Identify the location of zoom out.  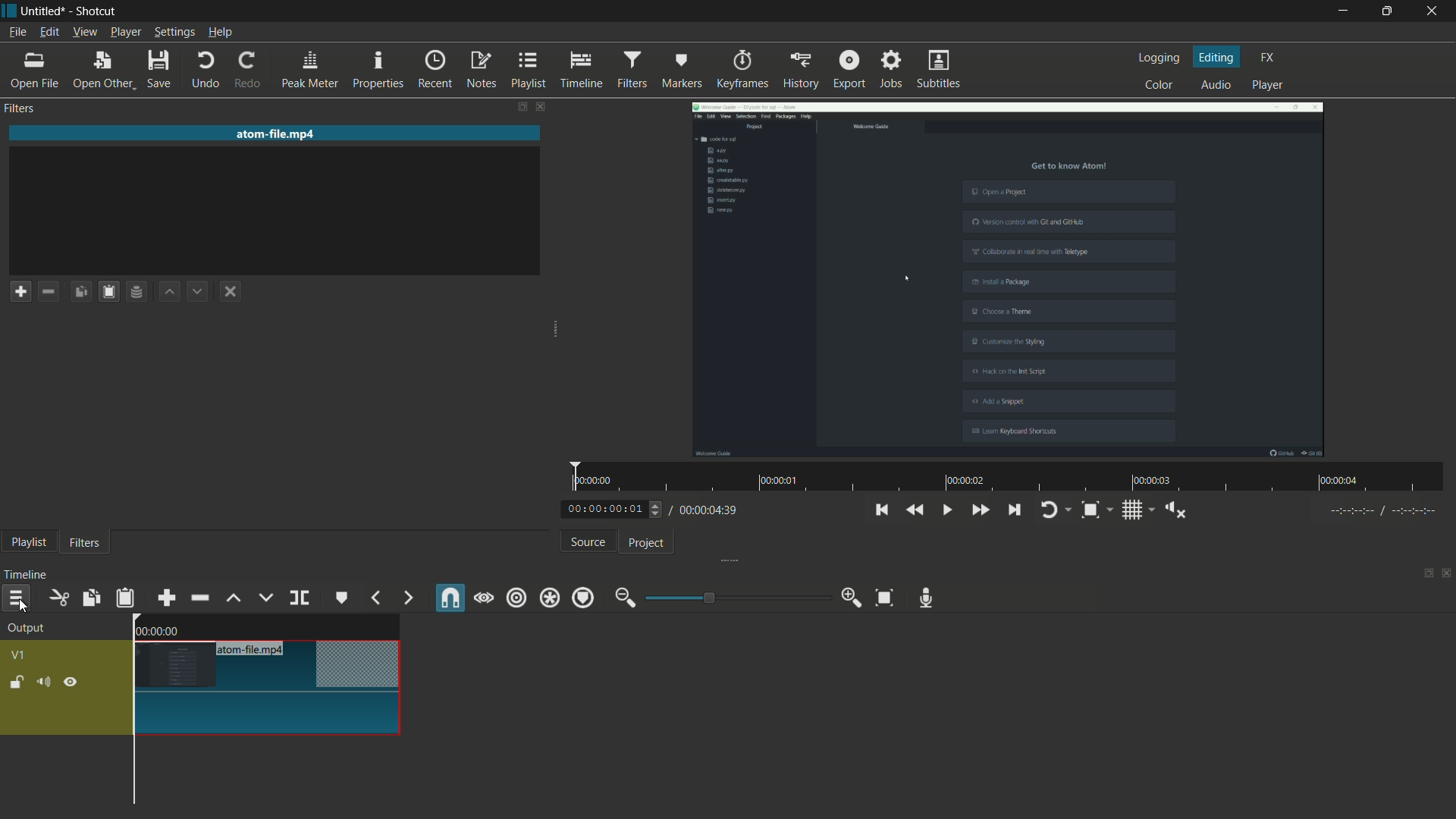
(626, 598).